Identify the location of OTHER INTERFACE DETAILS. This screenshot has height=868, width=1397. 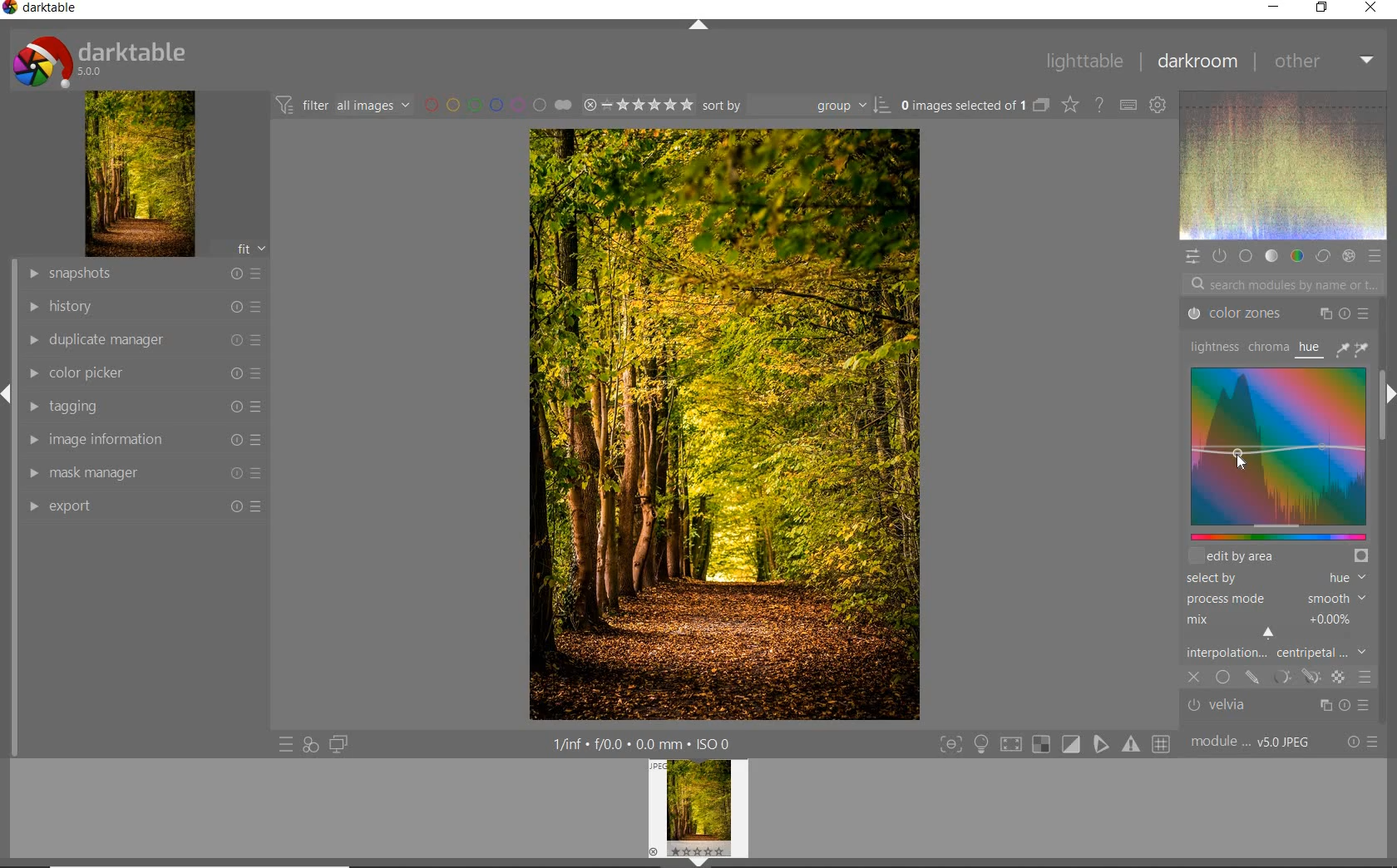
(641, 743).